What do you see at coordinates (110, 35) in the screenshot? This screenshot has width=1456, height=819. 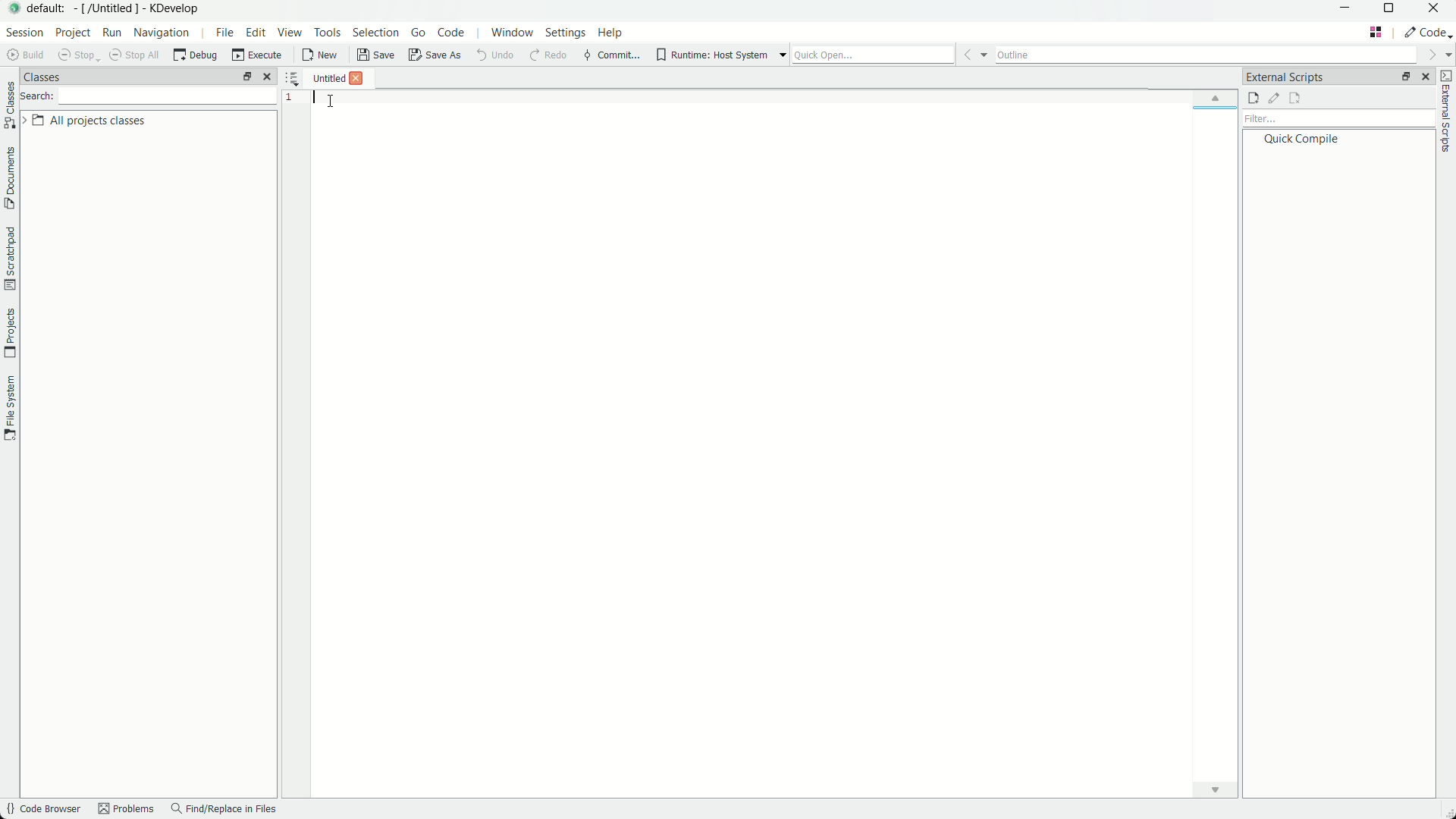 I see `run` at bounding box center [110, 35].